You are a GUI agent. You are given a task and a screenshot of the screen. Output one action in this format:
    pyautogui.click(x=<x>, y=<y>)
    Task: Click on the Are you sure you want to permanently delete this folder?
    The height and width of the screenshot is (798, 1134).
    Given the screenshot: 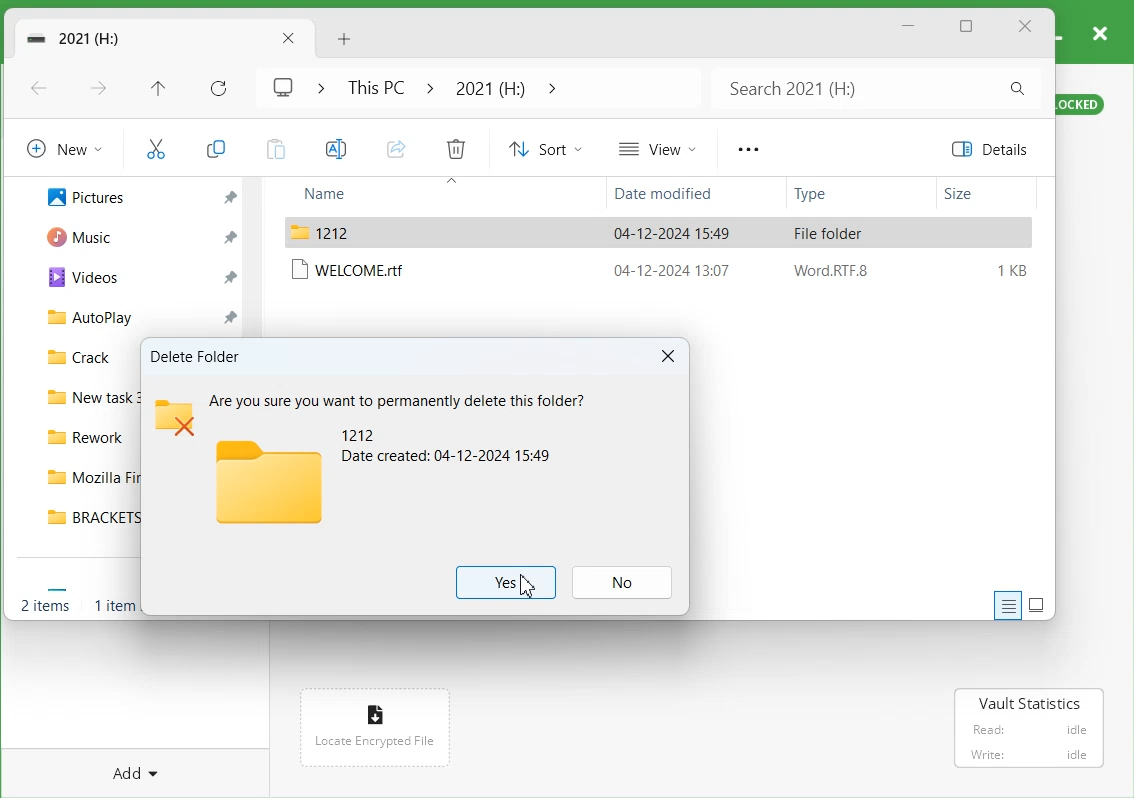 What is the action you would take?
    pyautogui.click(x=398, y=397)
    